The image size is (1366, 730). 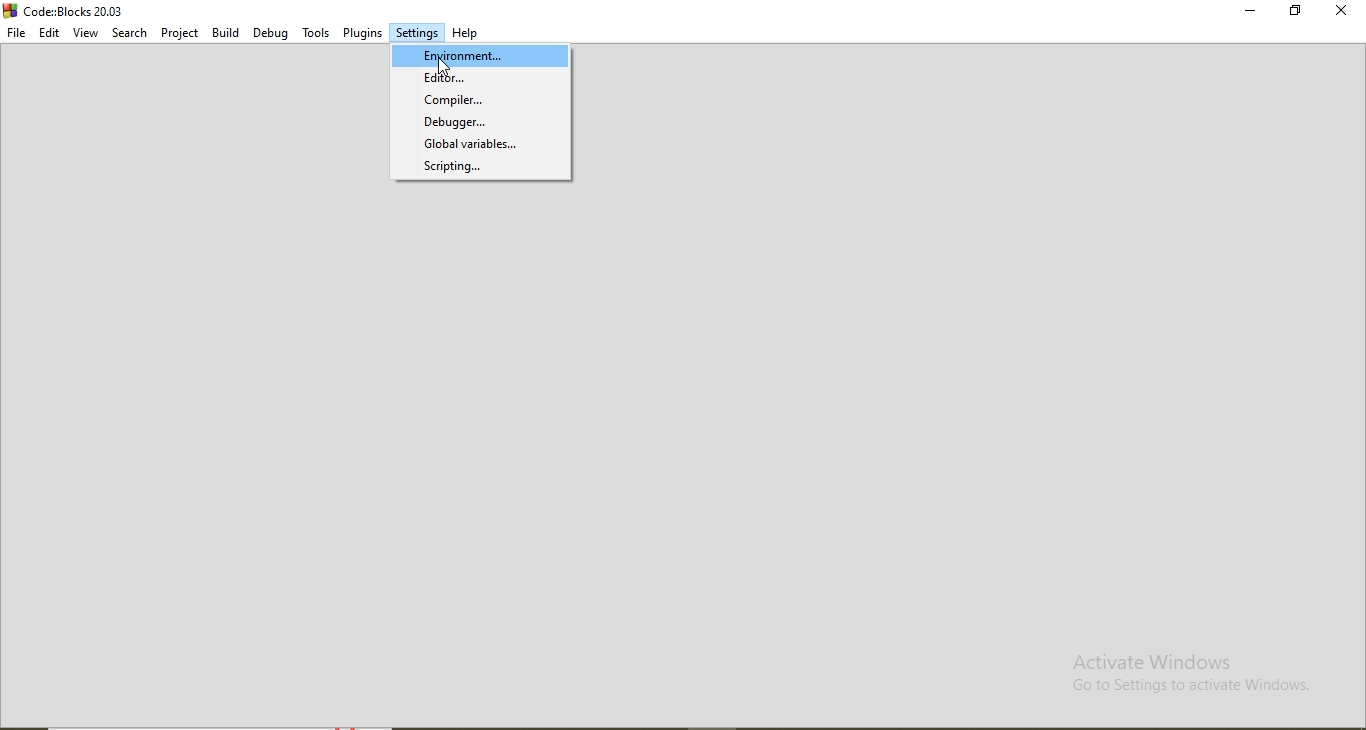 What do you see at coordinates (86, 33) in the screenshot?
I see `View ` at bounding box center [86, 33].